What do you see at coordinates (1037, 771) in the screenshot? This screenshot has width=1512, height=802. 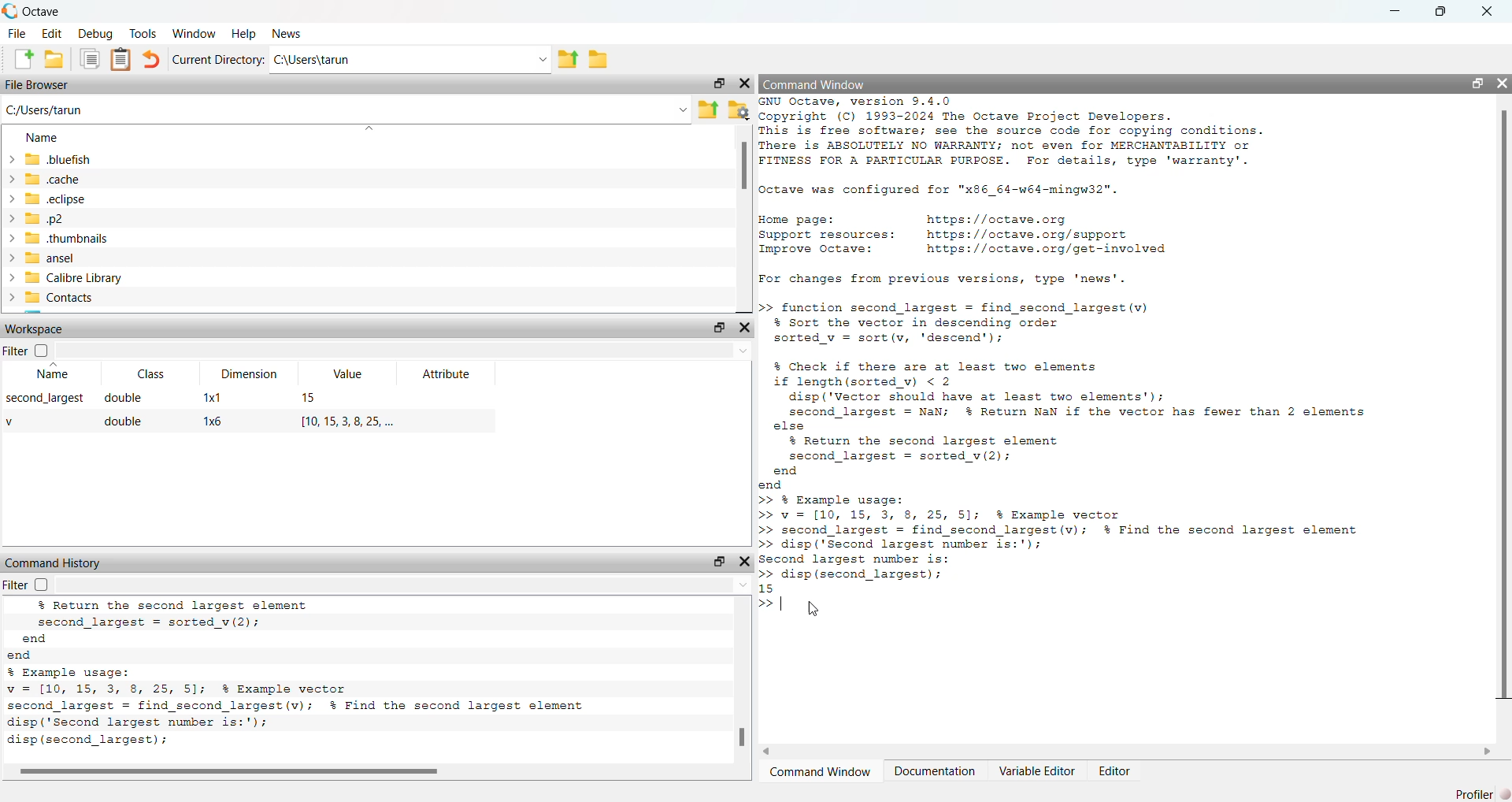 I see `variable editor` at bounding box center [1037, 771].